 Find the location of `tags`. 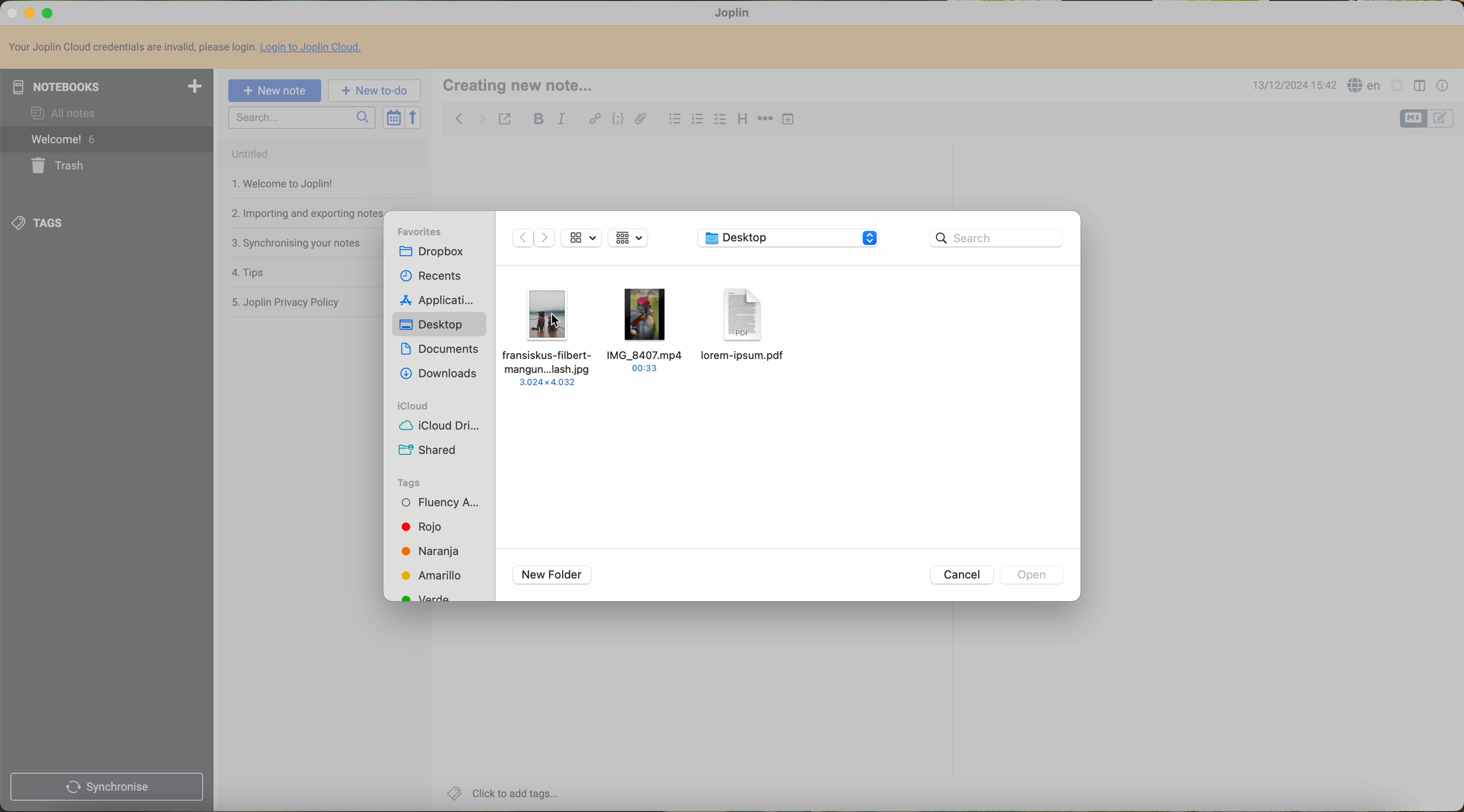

tags is located at coordinates (415, 482).